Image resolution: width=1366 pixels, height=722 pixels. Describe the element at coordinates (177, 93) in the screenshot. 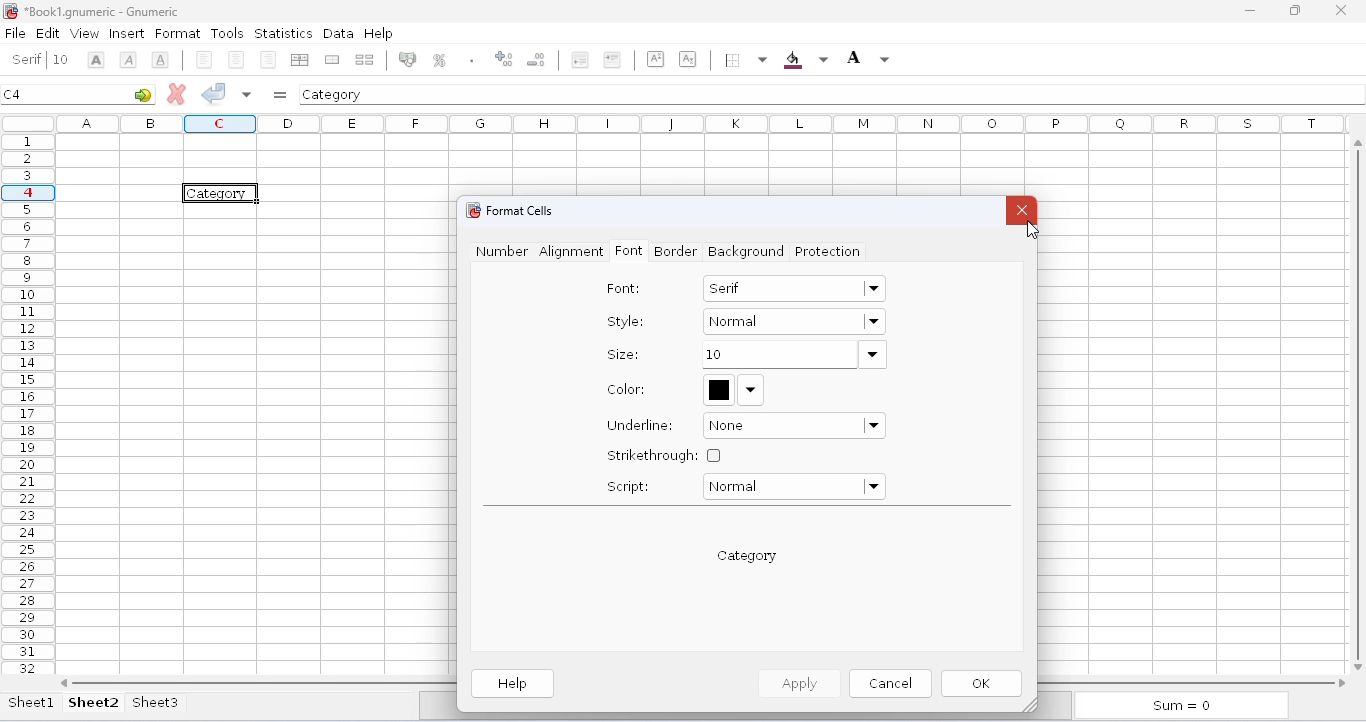

I see `cancel change` at that location.